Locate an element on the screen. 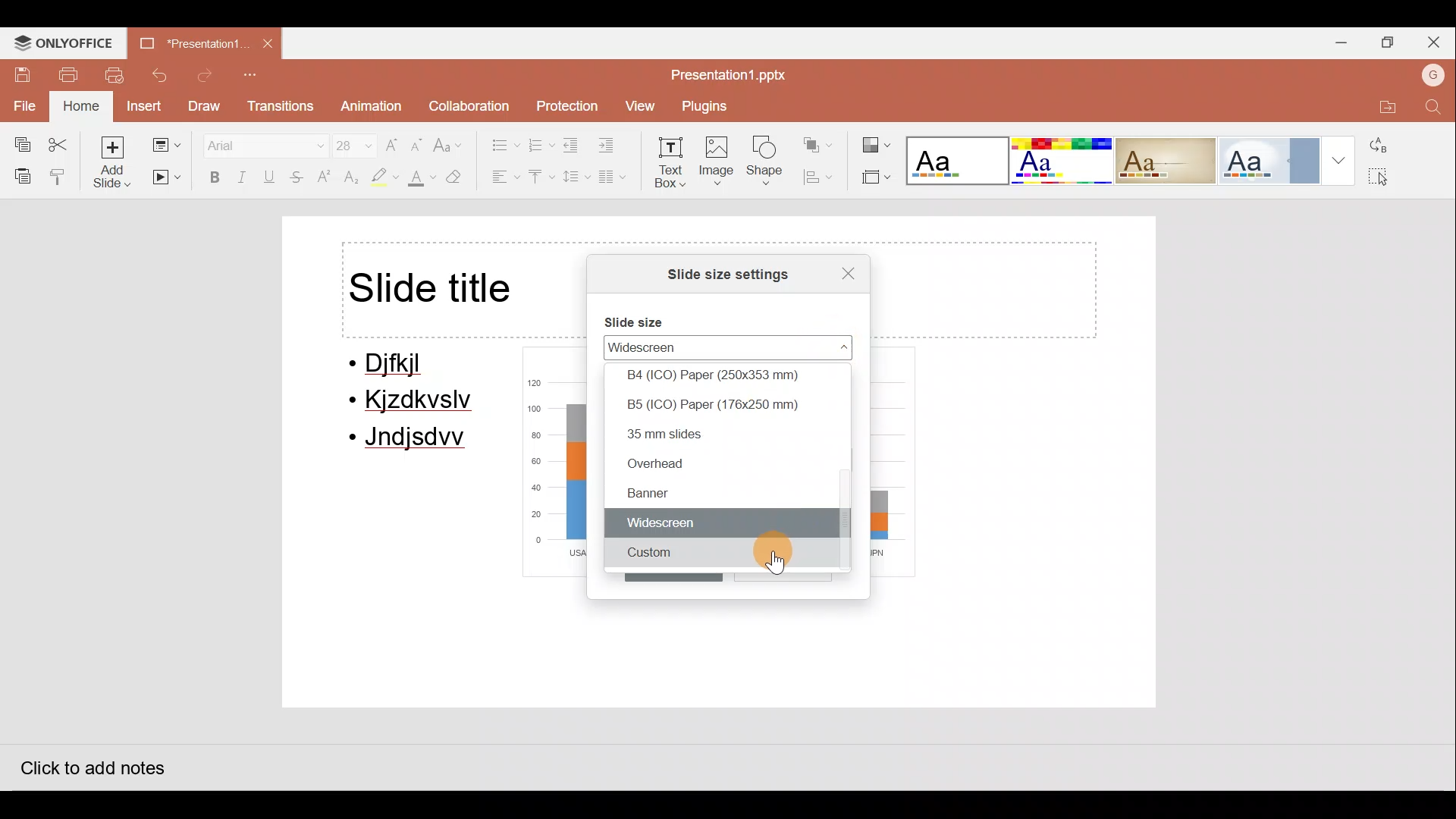 Image resolution: width=1456 pixels, height=819 pixels. Select all is located at coordinates (1388, 174).